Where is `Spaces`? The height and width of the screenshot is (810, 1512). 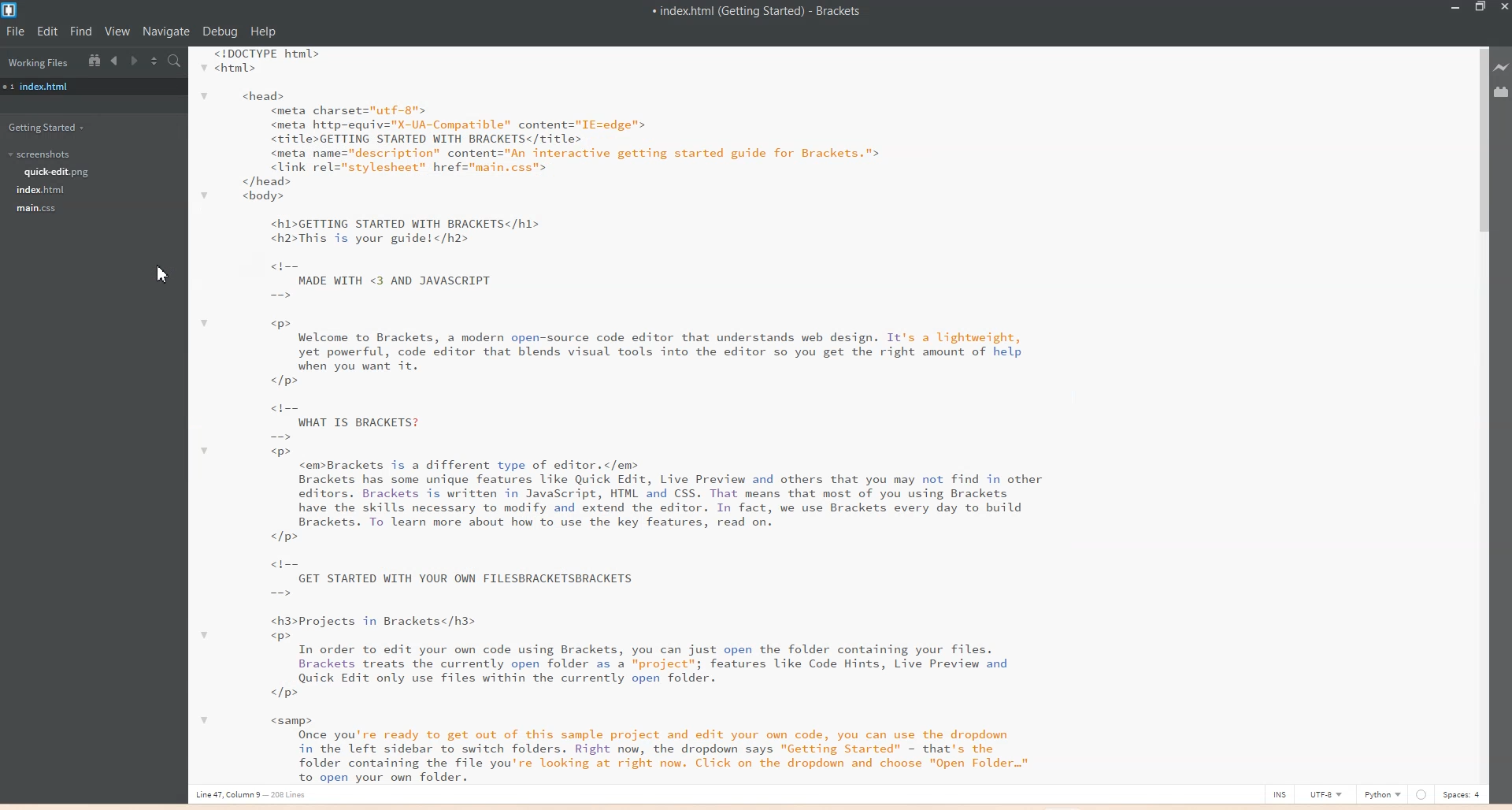
Spaces is located at coordinates (1459, 794).